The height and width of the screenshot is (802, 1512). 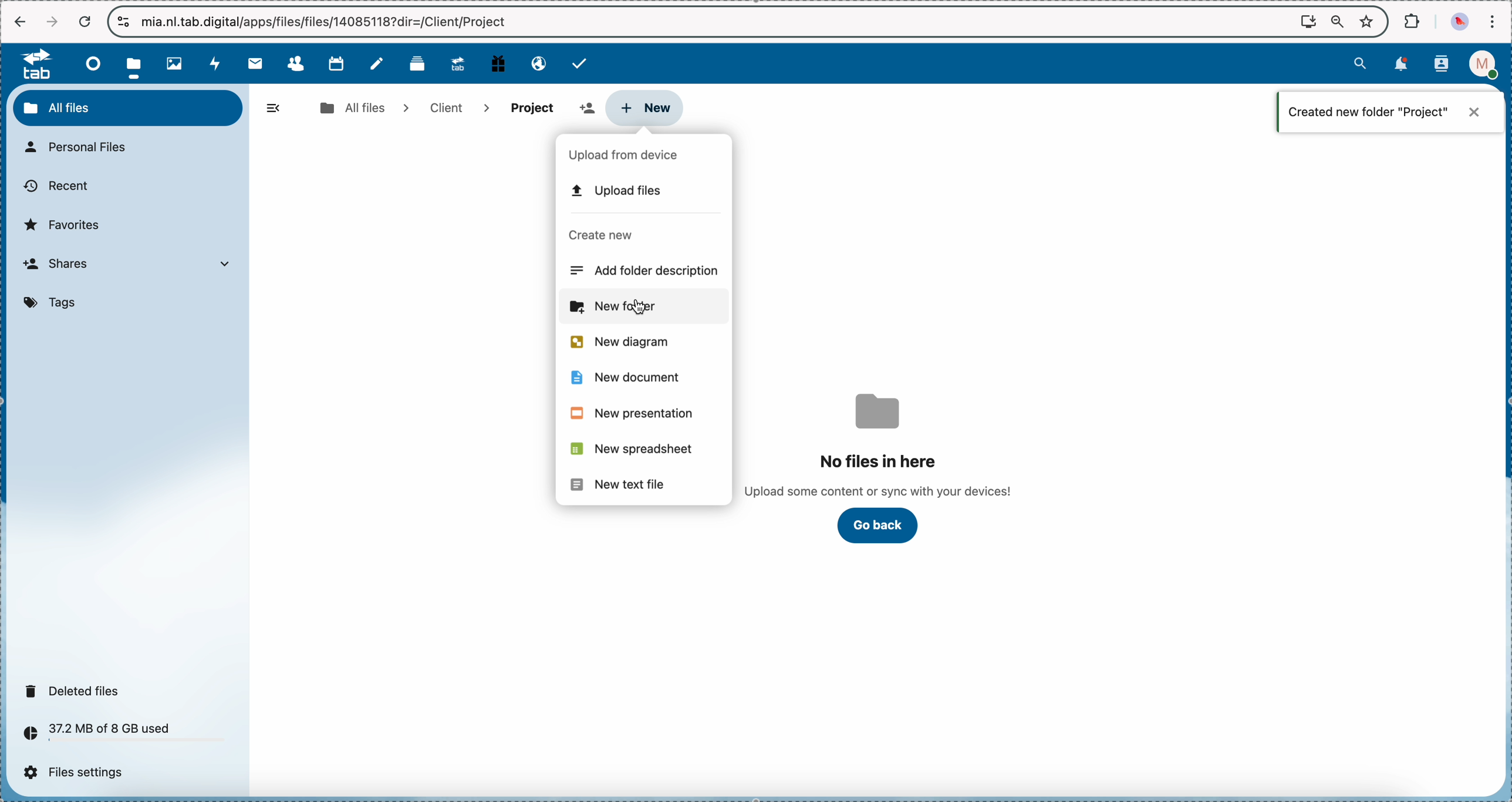 I want to click on upload files, so click(x=618, y=190).